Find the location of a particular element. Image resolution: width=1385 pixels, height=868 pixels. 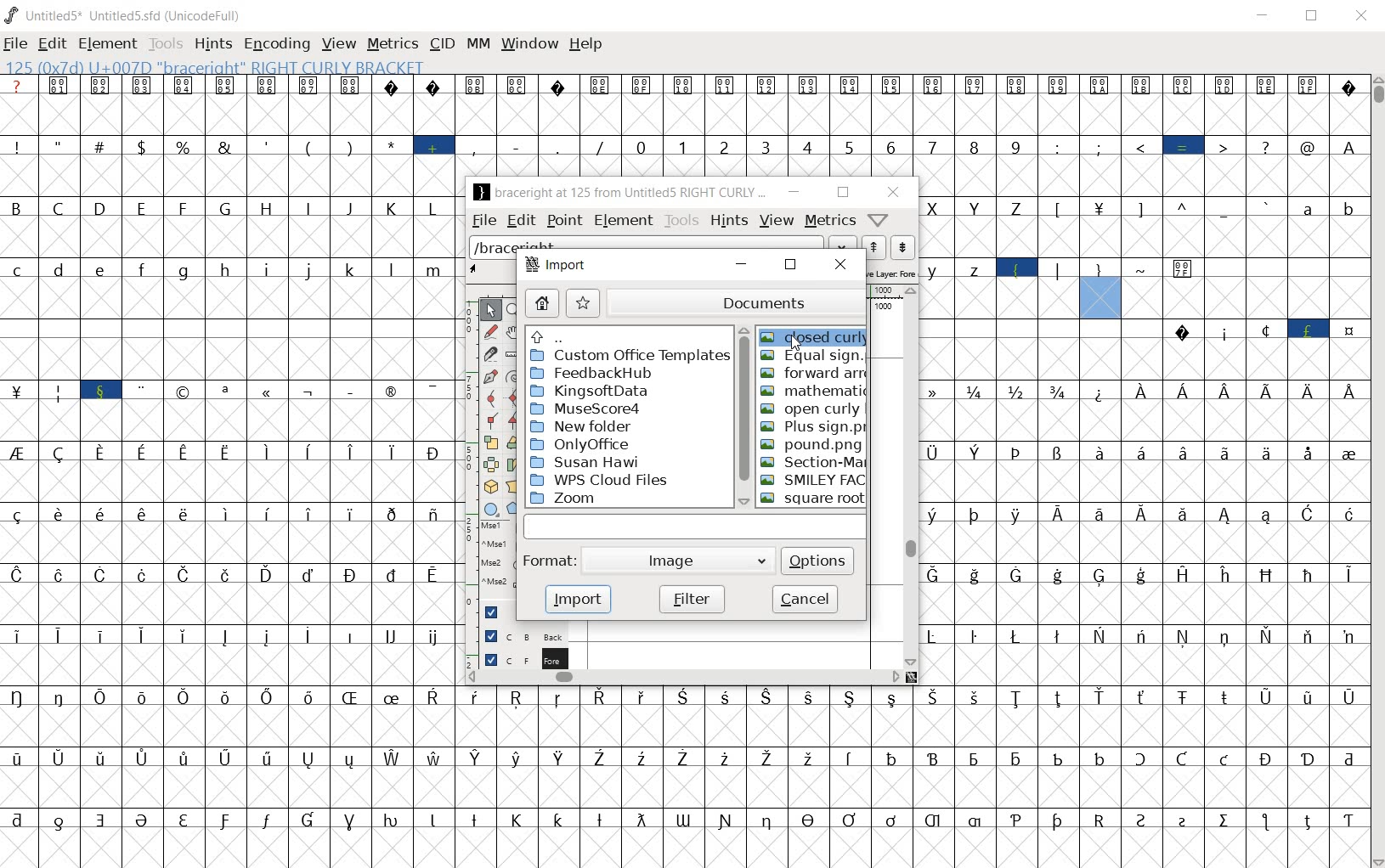

element is located at coordinates (623, 222).